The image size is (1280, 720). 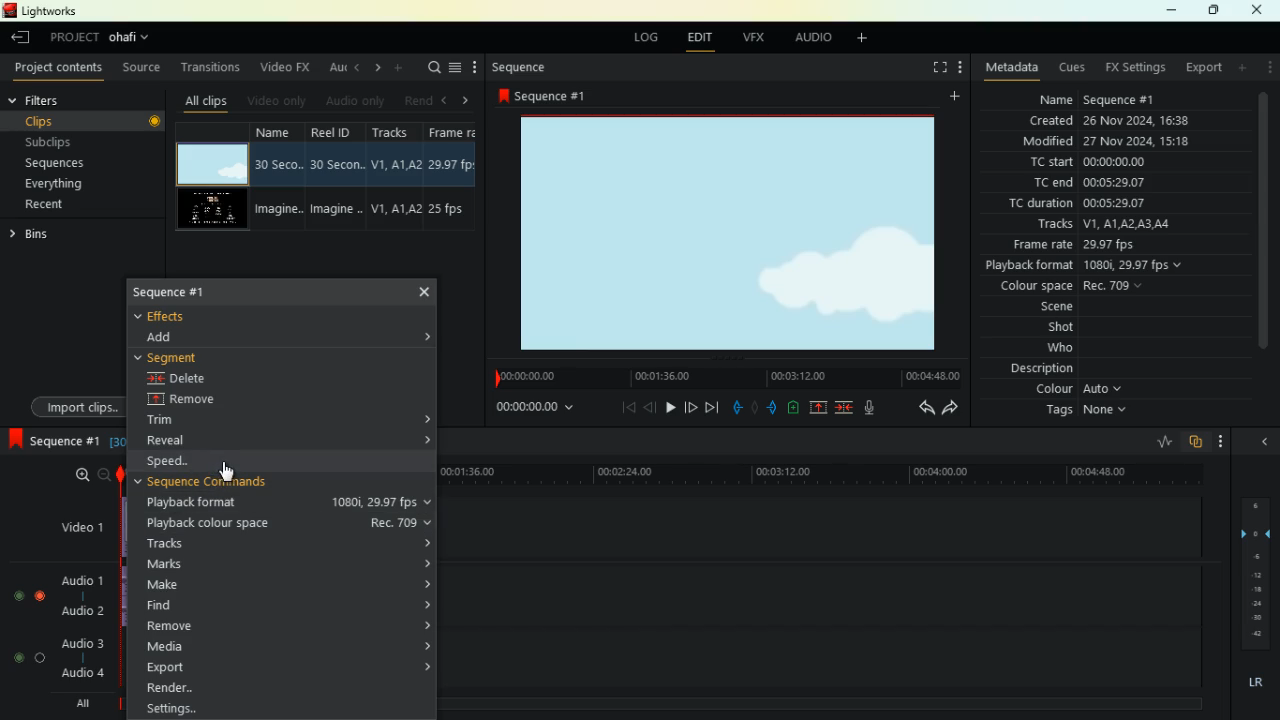 I want to click on more, so click(x=1221, y=441).